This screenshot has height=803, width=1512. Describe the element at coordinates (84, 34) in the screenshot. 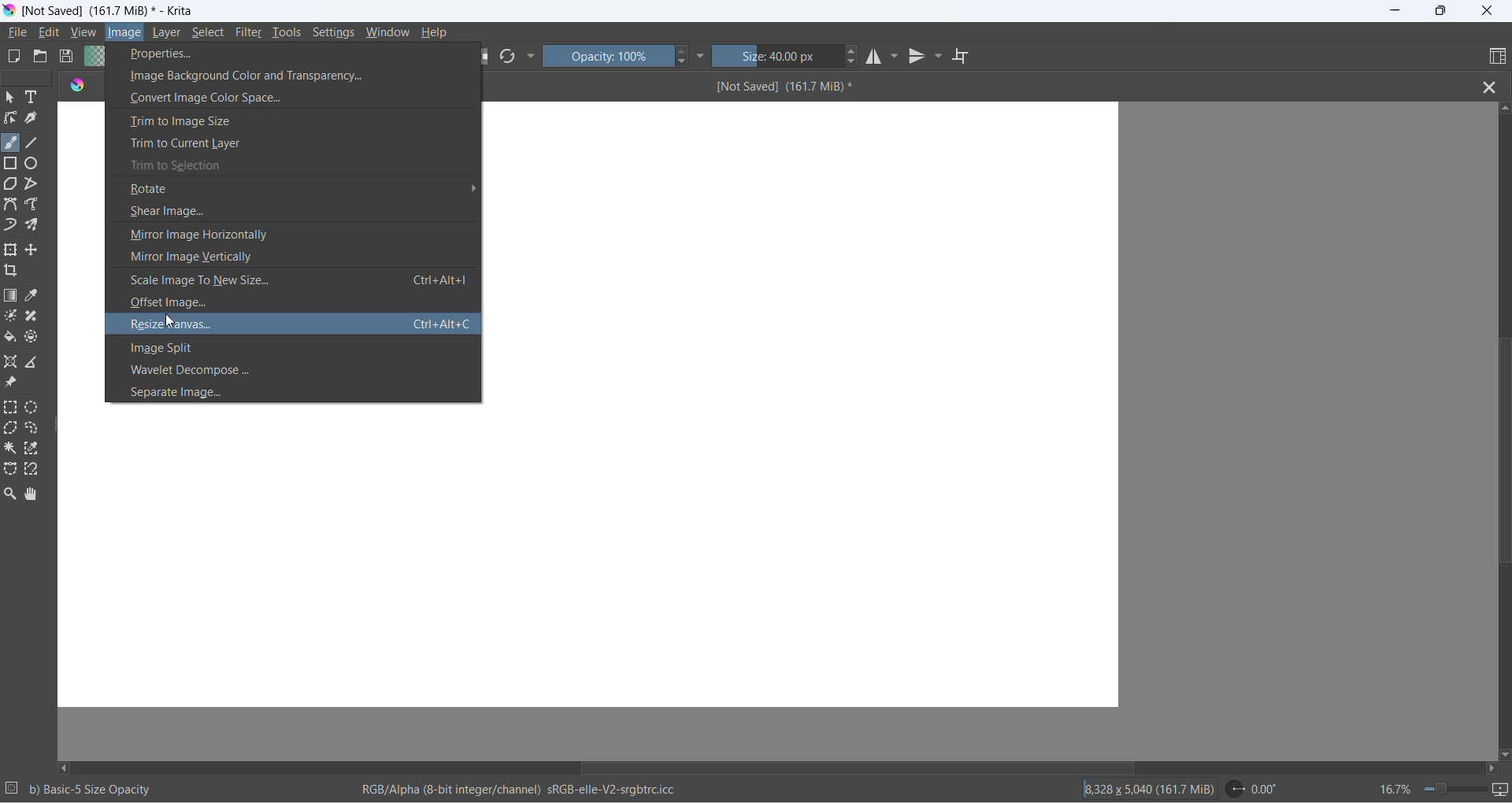

I see `view` at that location.